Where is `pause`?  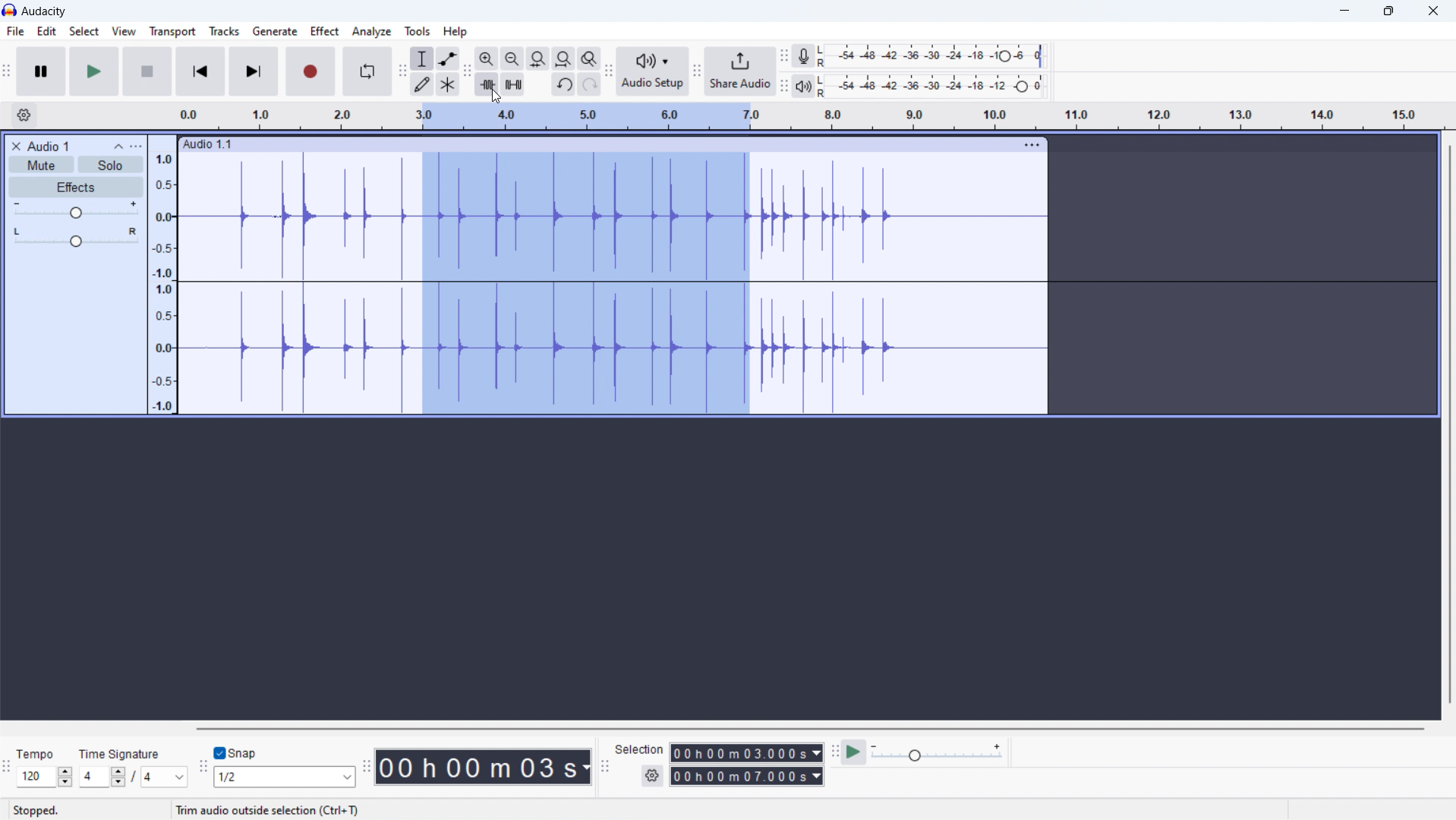 pause is located at coordinates (41, 72).